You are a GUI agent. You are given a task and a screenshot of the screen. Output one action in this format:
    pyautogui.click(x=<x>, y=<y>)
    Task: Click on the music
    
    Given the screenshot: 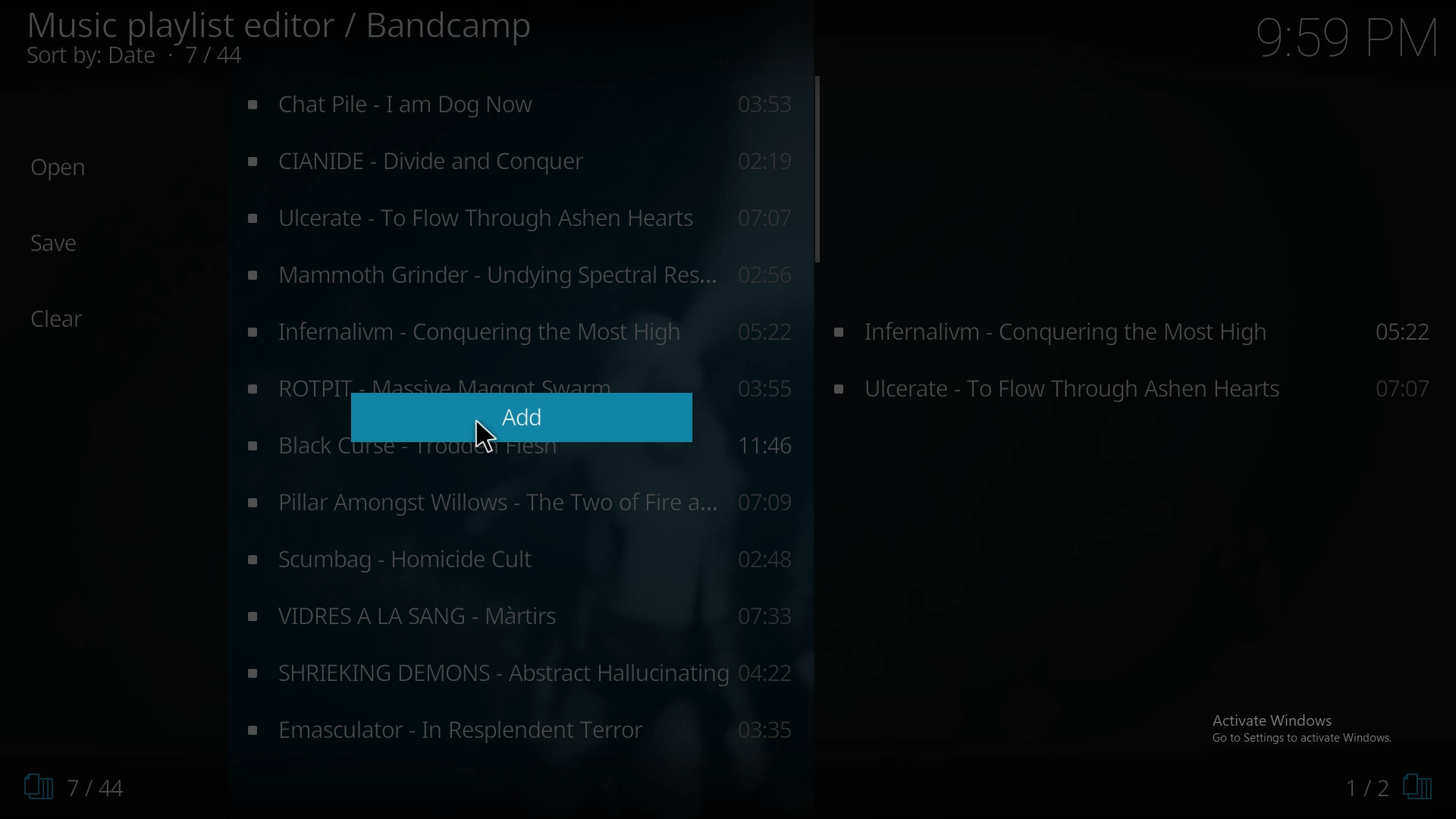 What is the action you would take?
    pyautogui.click(x=519, y=274)
    